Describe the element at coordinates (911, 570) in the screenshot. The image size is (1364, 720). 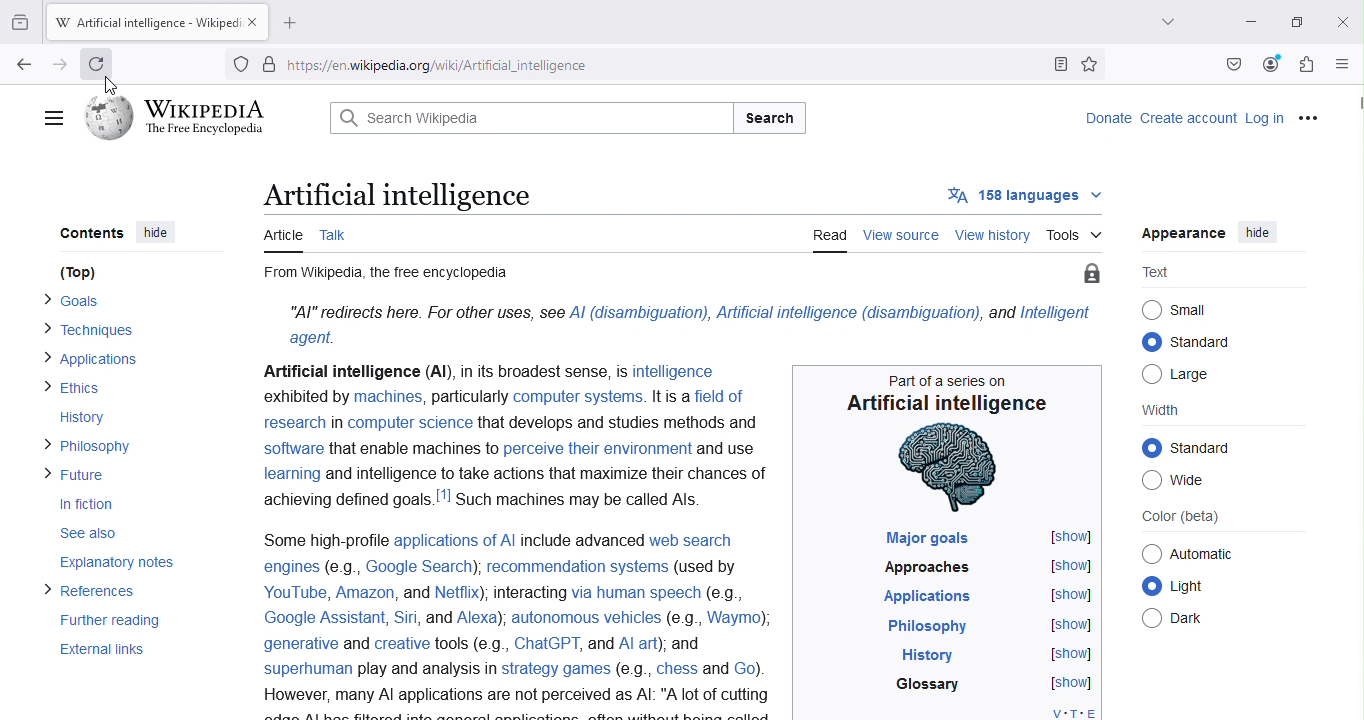
I see `Approaches` at that location.